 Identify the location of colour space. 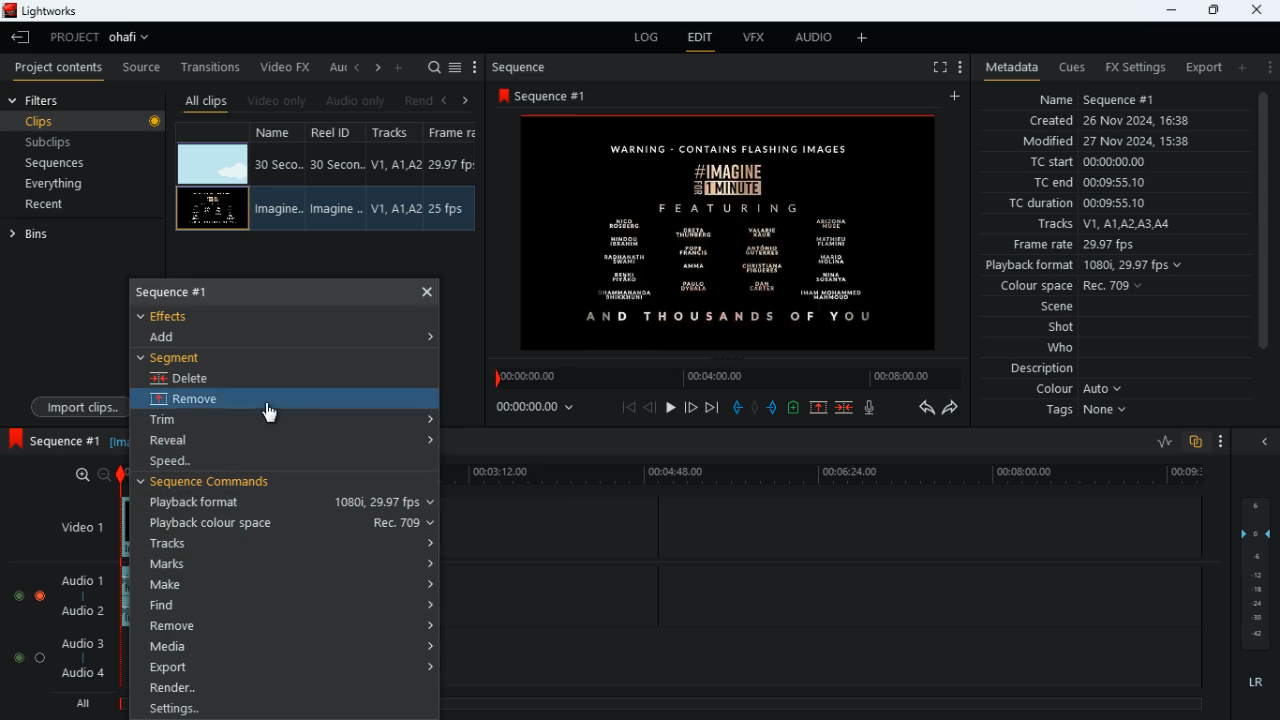
(1073, 286).